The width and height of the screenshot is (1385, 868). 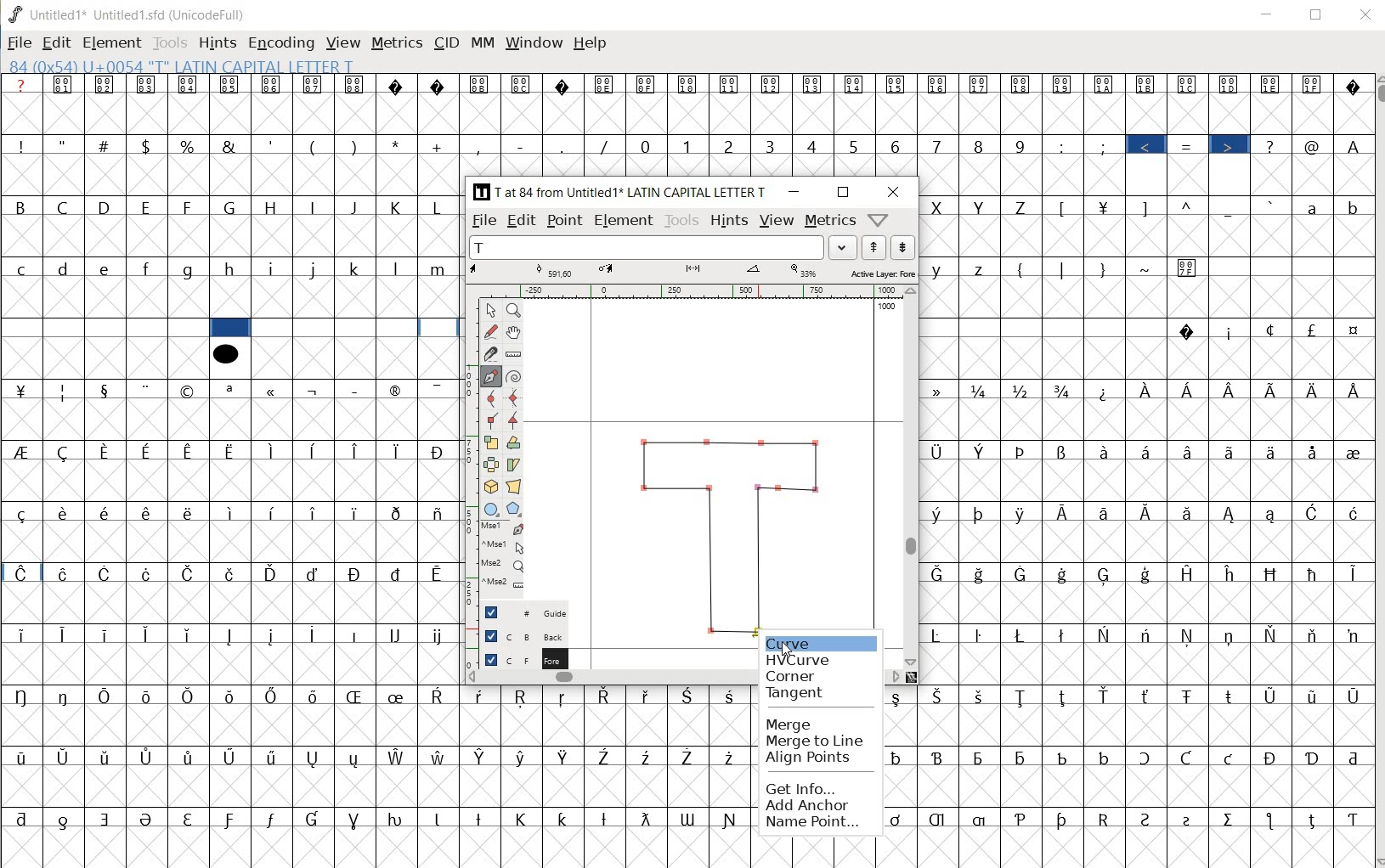 What do you see at coordinates (940, 819) in the screenshot?
I see `Symbol` at bounding box center [940, 819].